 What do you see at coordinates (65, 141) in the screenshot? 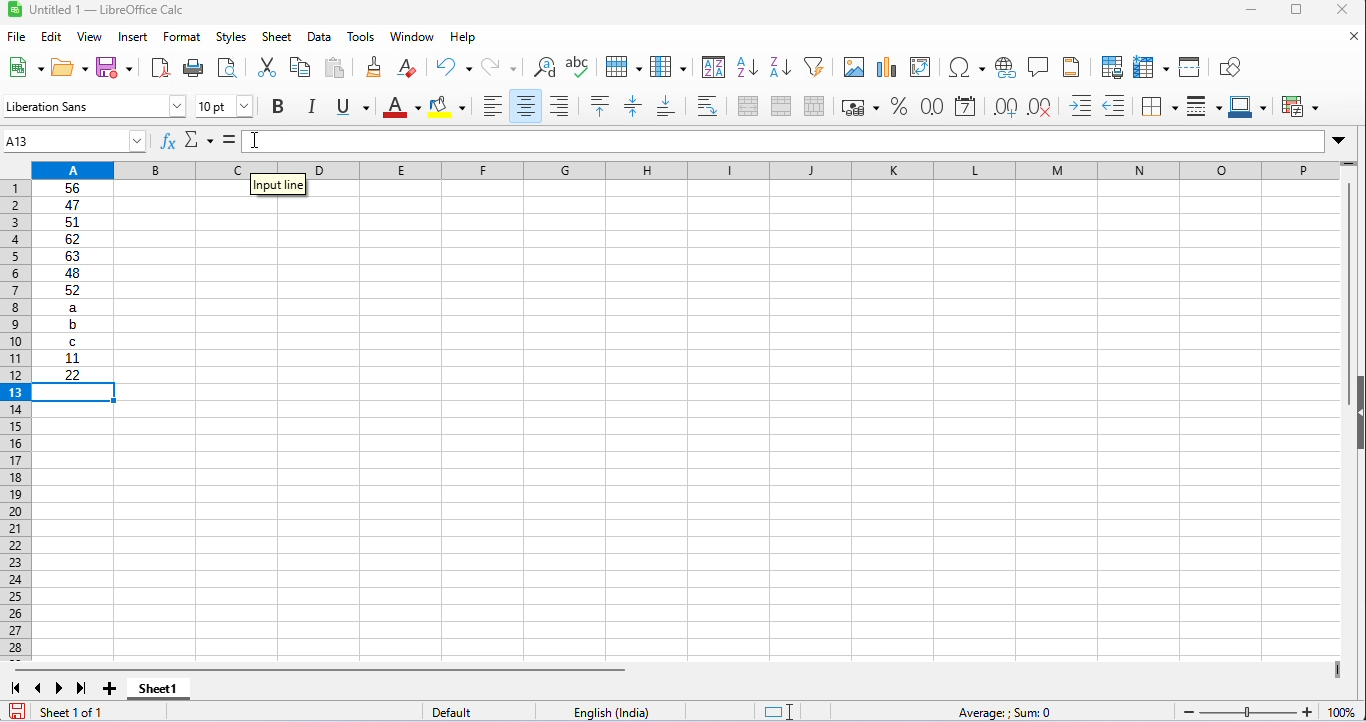
I see `selected cell number` at bounding box center [65, 141].